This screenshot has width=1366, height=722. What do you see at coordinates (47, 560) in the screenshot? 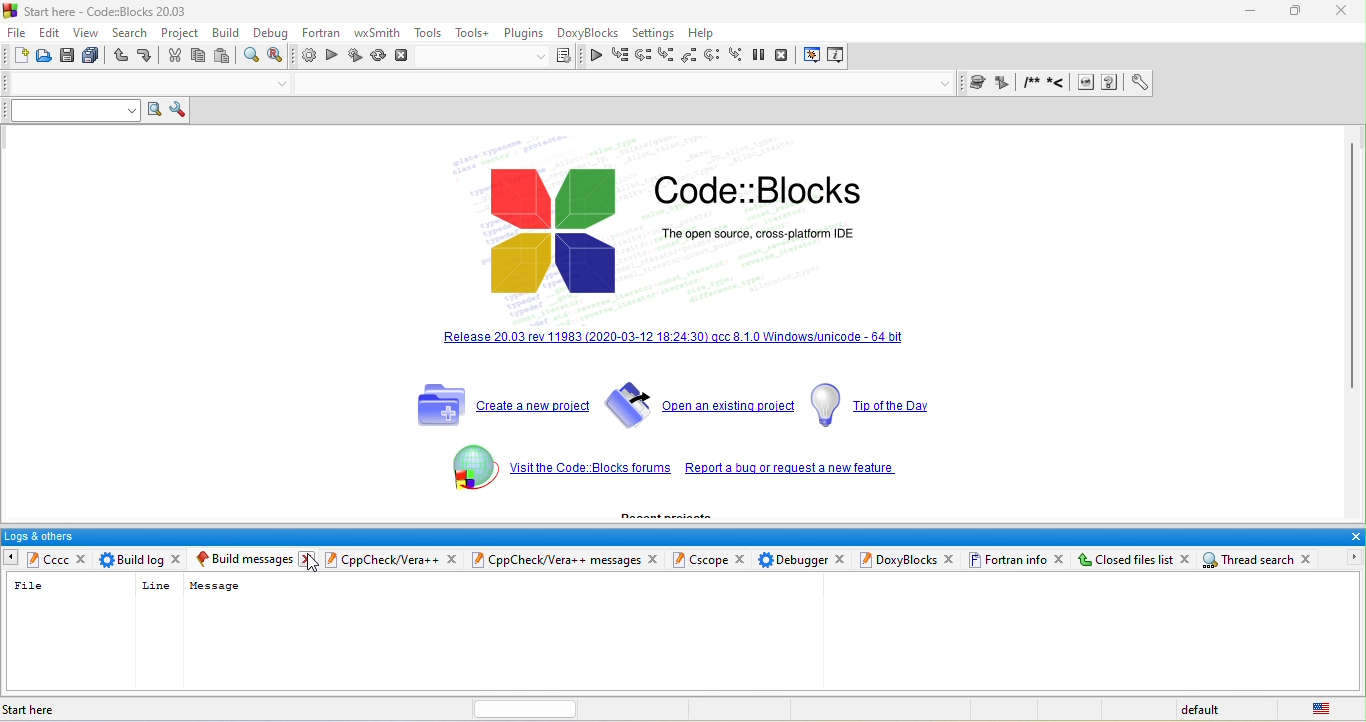
I see `cccc` at bounding box center [47, 560].